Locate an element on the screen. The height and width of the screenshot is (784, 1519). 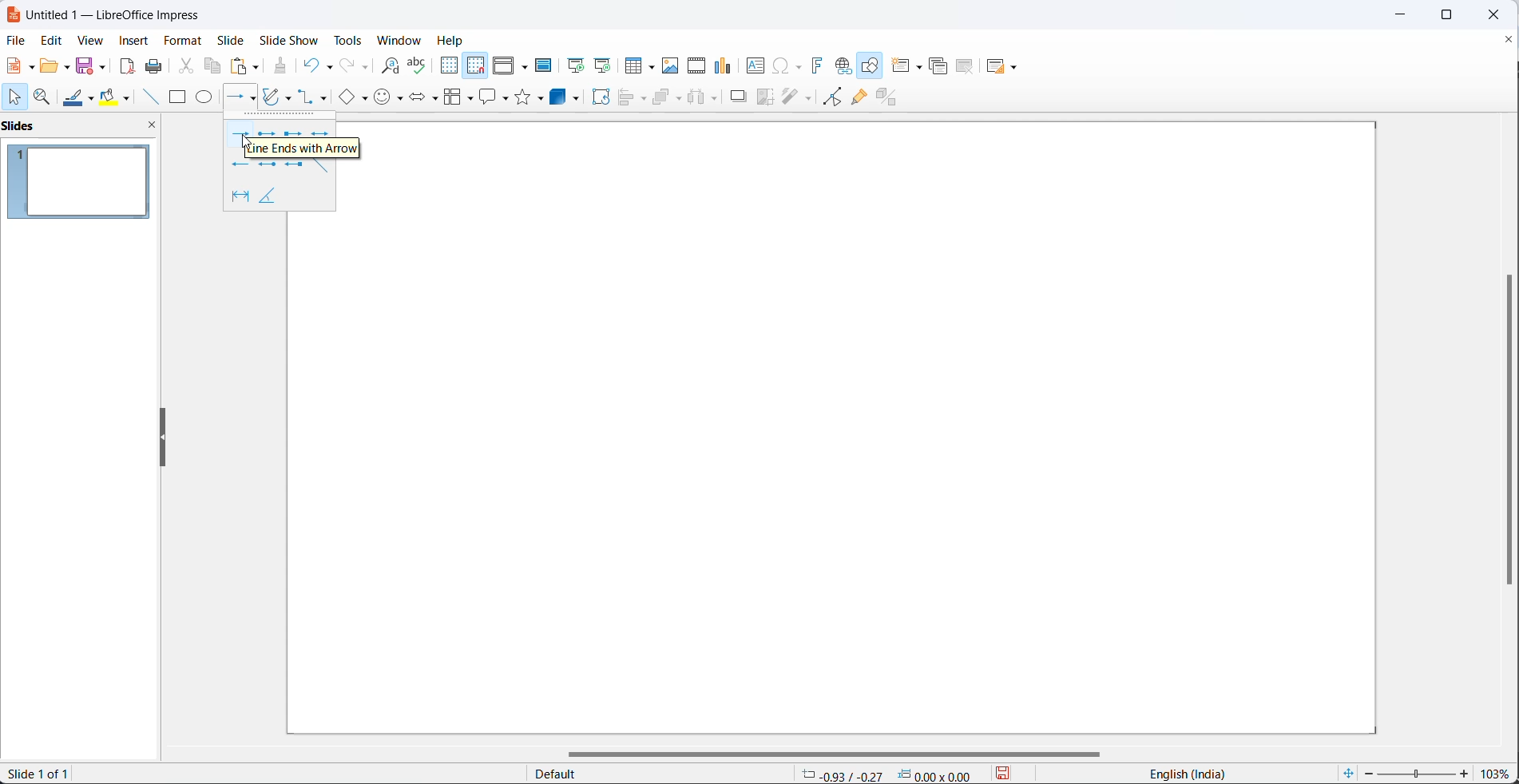
filters is located at coordinates (796, 98).